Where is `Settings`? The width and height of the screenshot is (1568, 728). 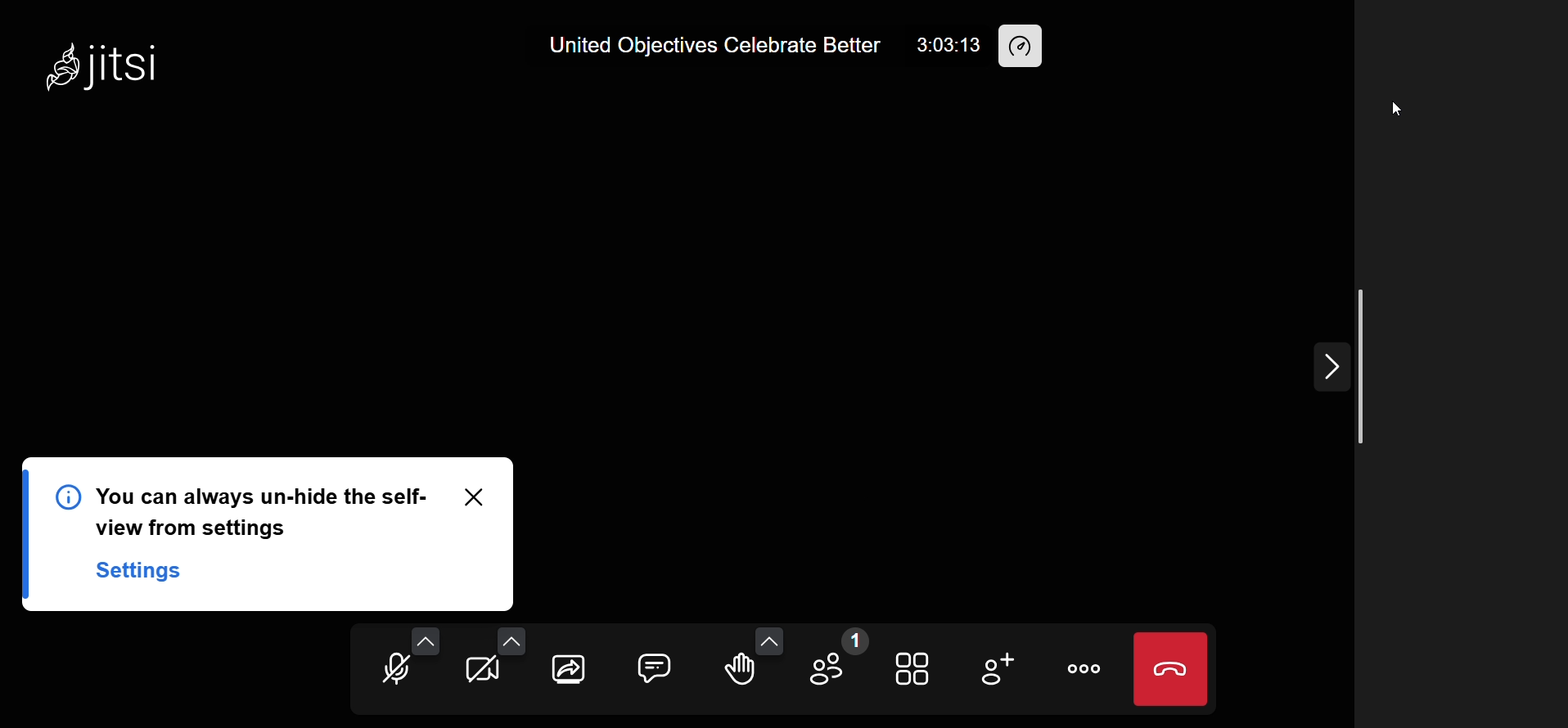
Settings is located at coordinates (142, 570).